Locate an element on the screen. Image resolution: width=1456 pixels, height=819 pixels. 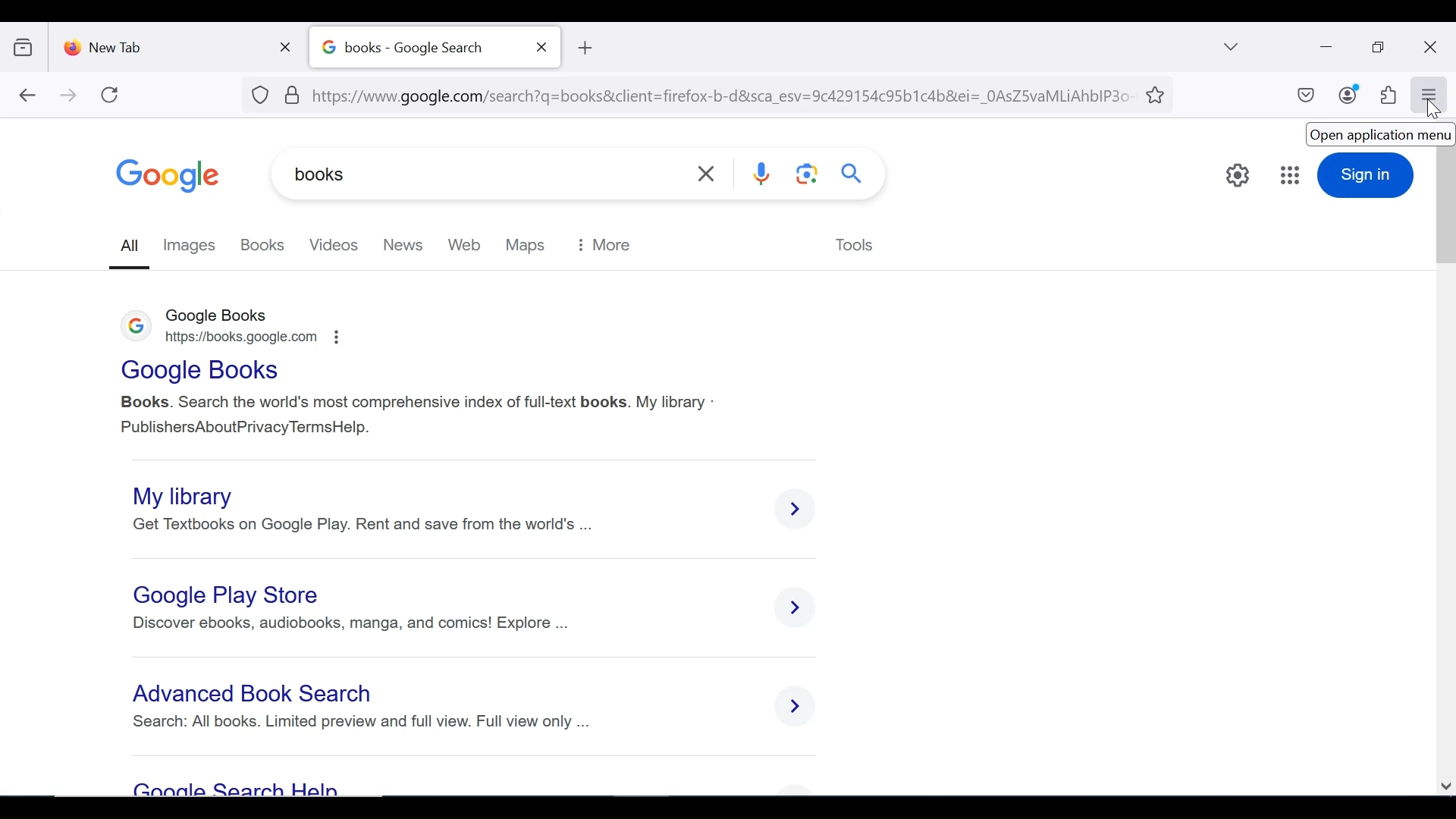
save to pocket is located at coordinates (1304, 96).